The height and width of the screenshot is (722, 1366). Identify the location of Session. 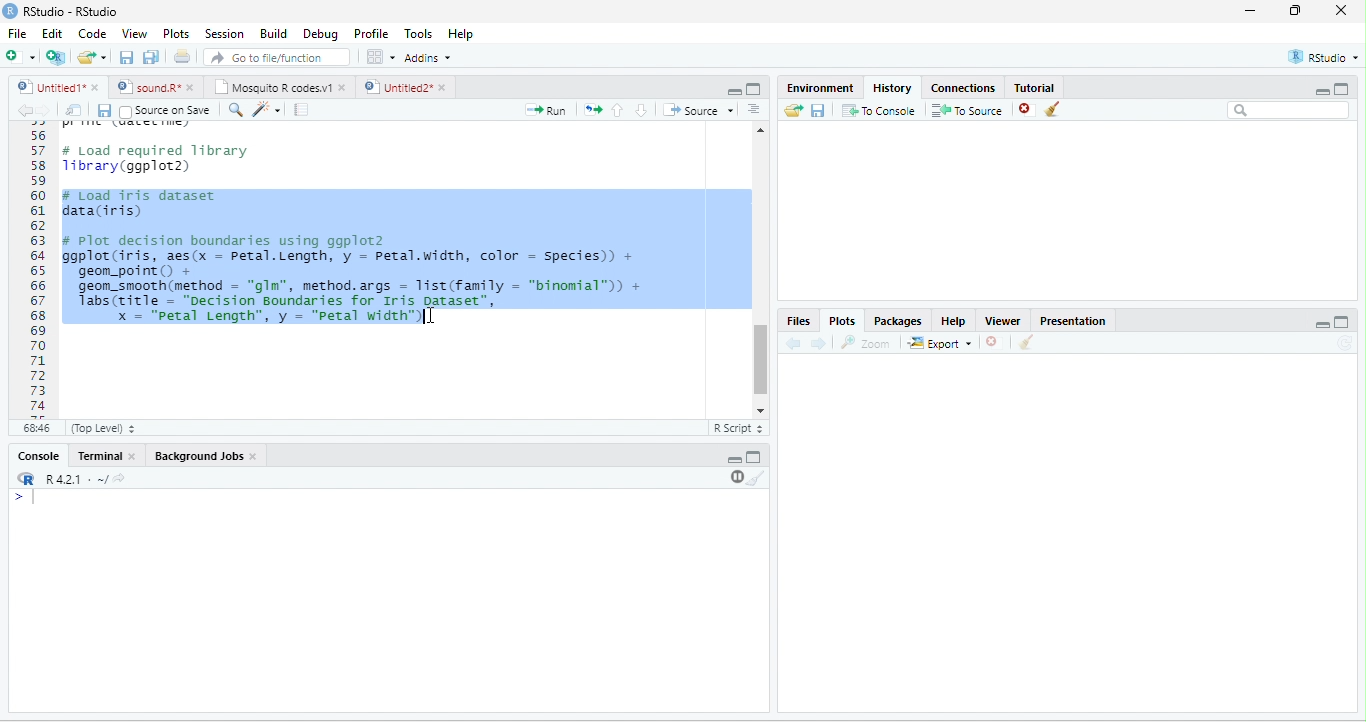
(226, 35).